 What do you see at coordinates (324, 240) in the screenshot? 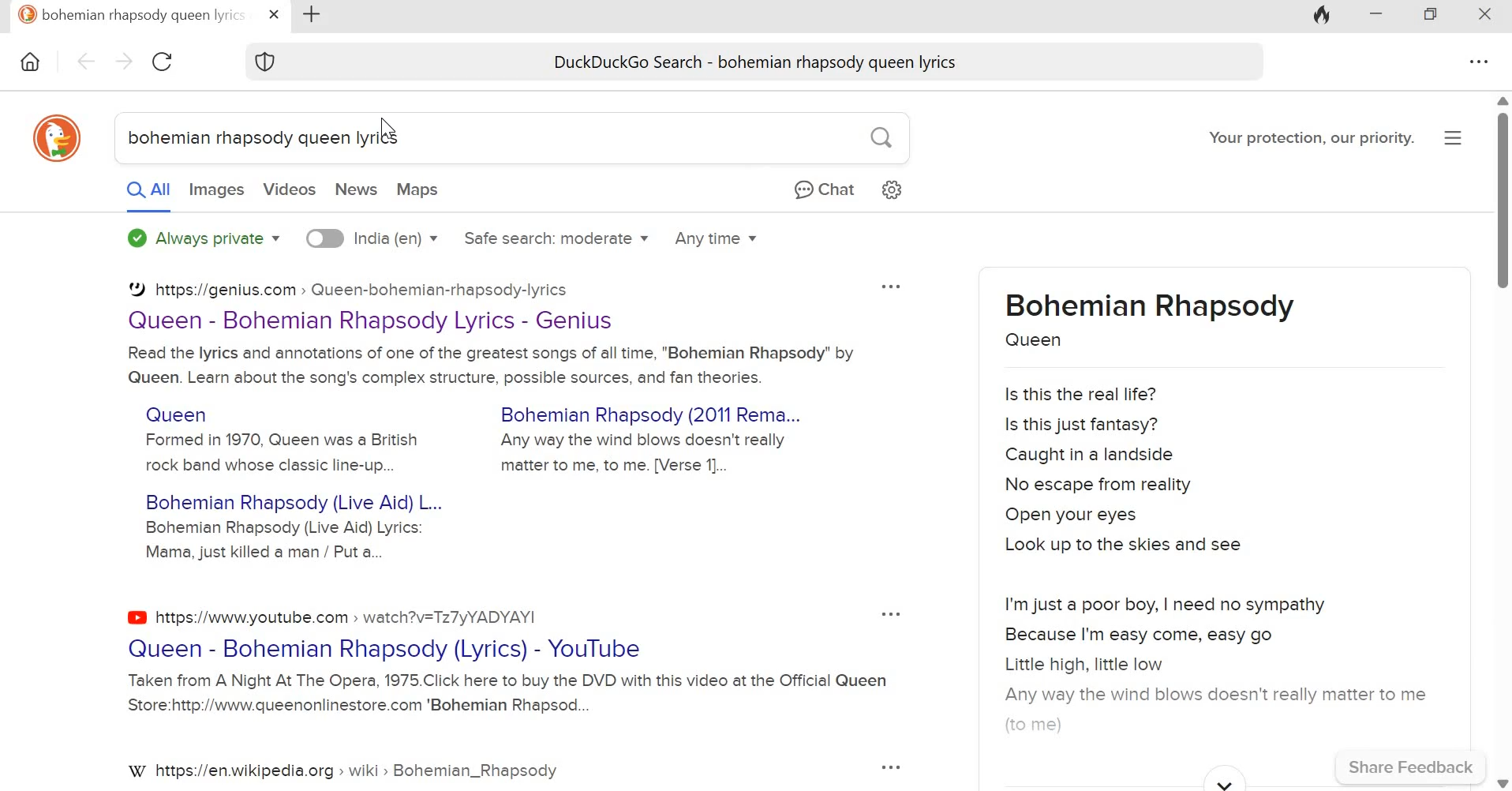
I see `toggle` at bounding box center [324, 240].